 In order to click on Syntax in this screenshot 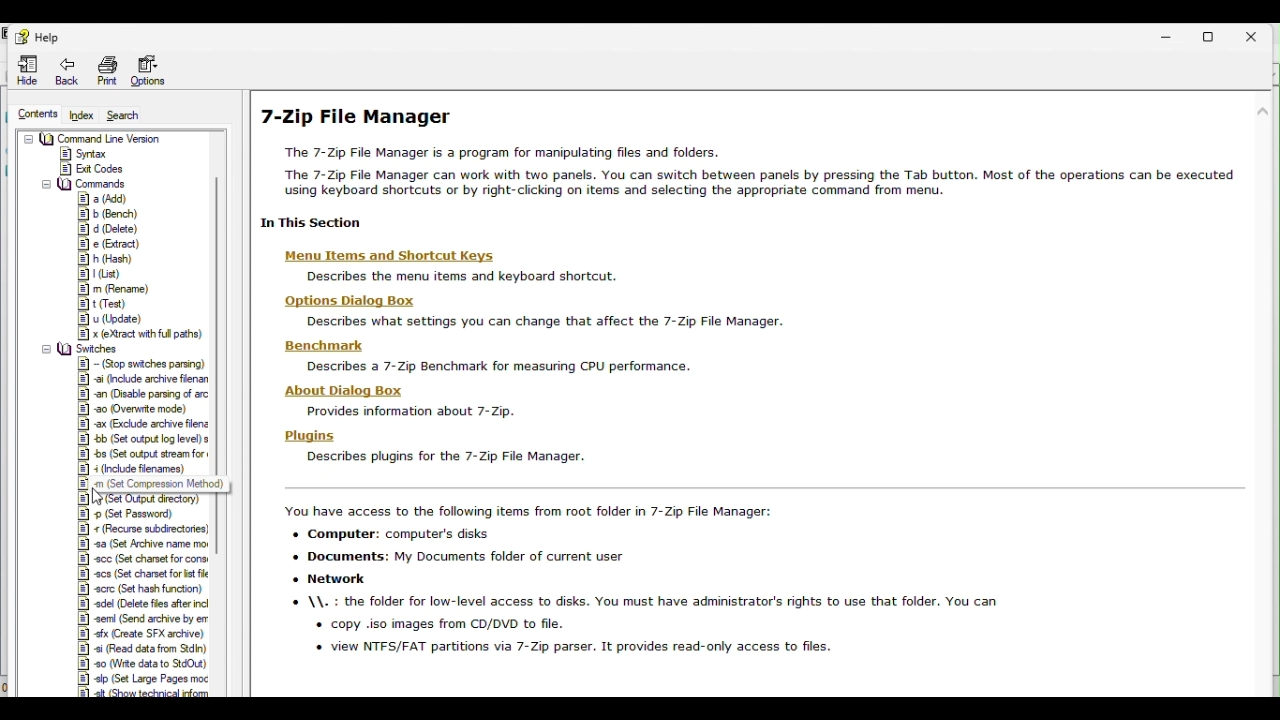, I will do `click(89, 154)`.